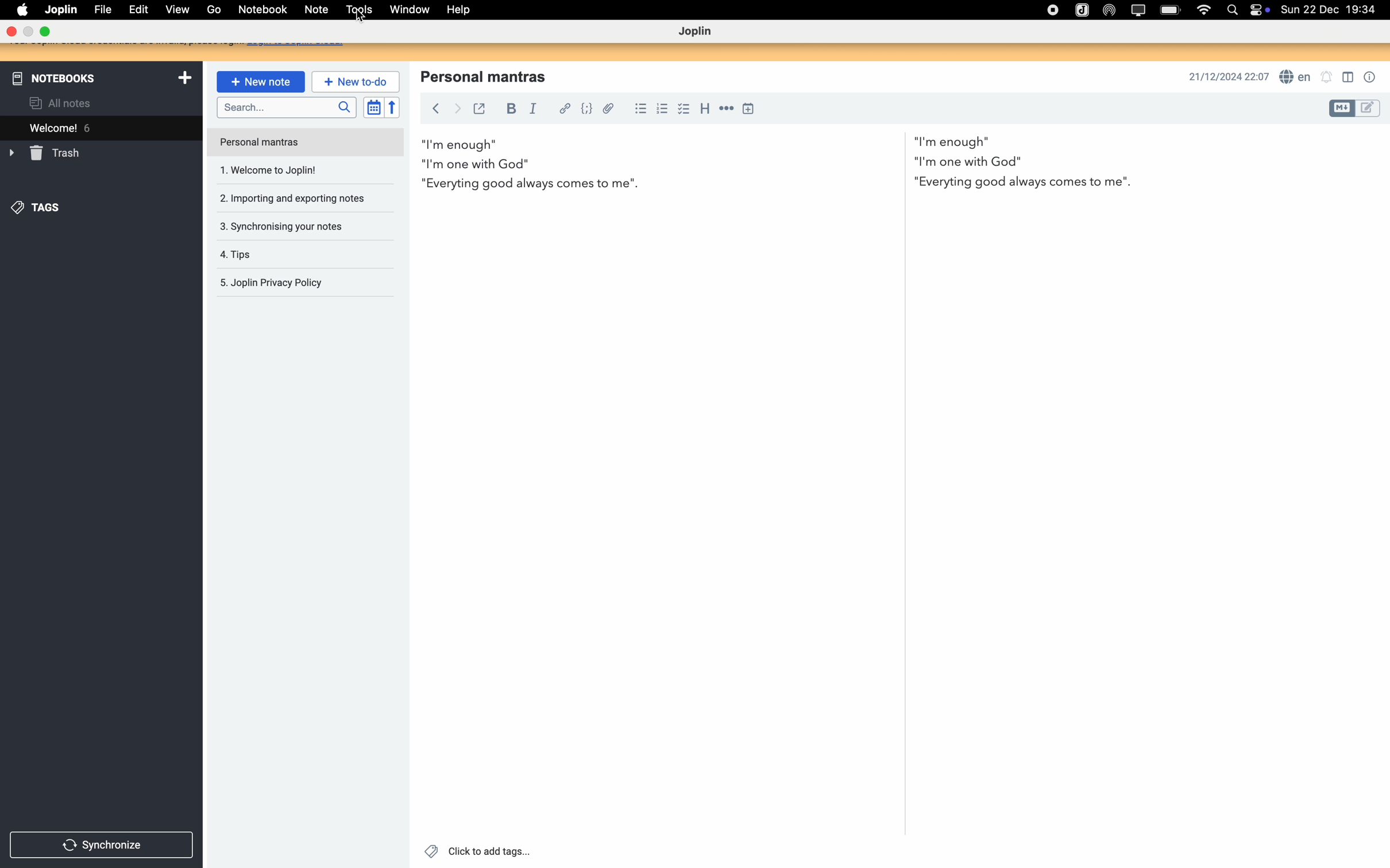  Describe the element at coordinates (778, 161) in the screenshot. I see `body text` at that location.